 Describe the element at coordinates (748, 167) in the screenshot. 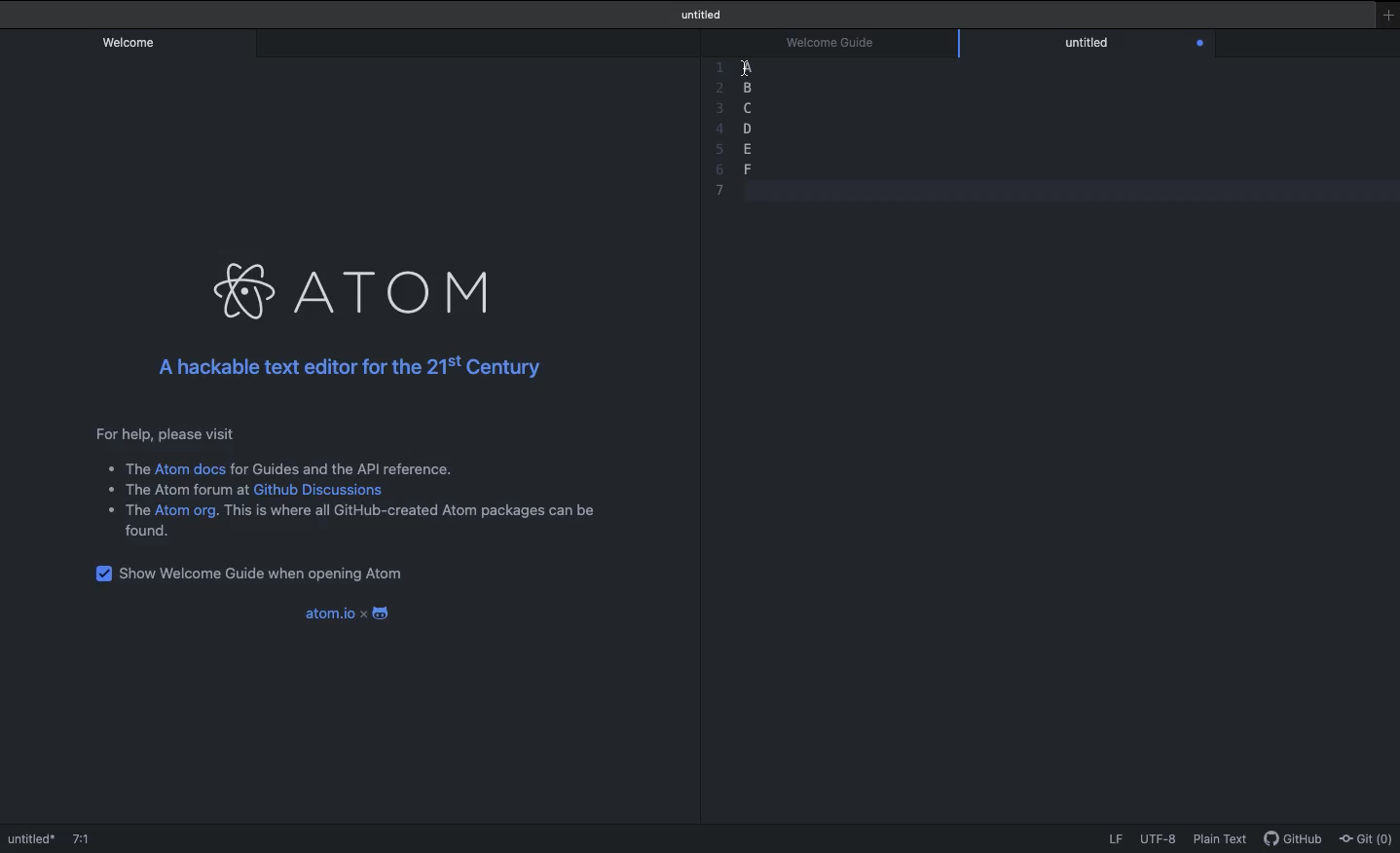

I see `f` at that location.